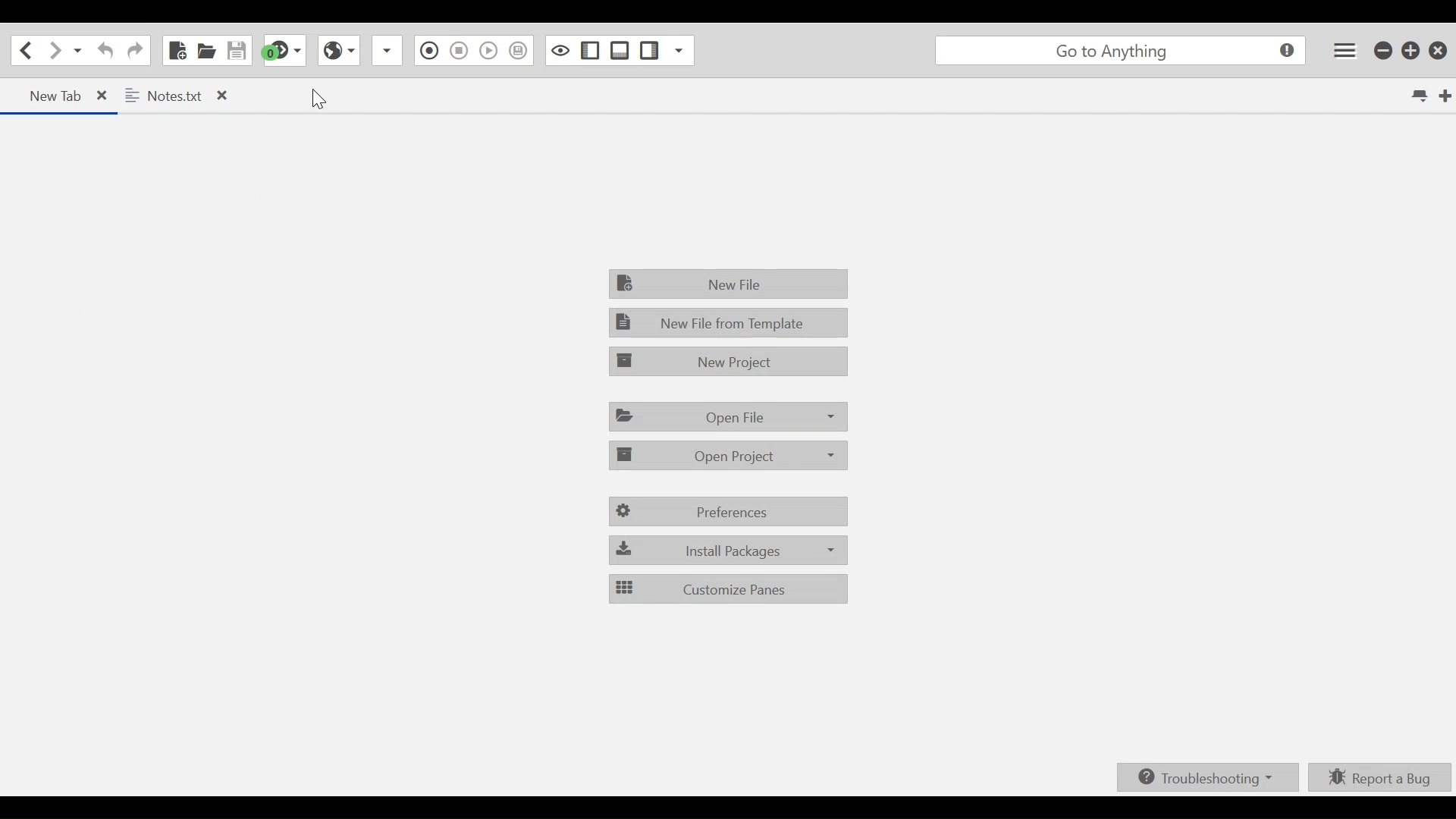  I want to click on Troubleshooting, so click(1209, 776).